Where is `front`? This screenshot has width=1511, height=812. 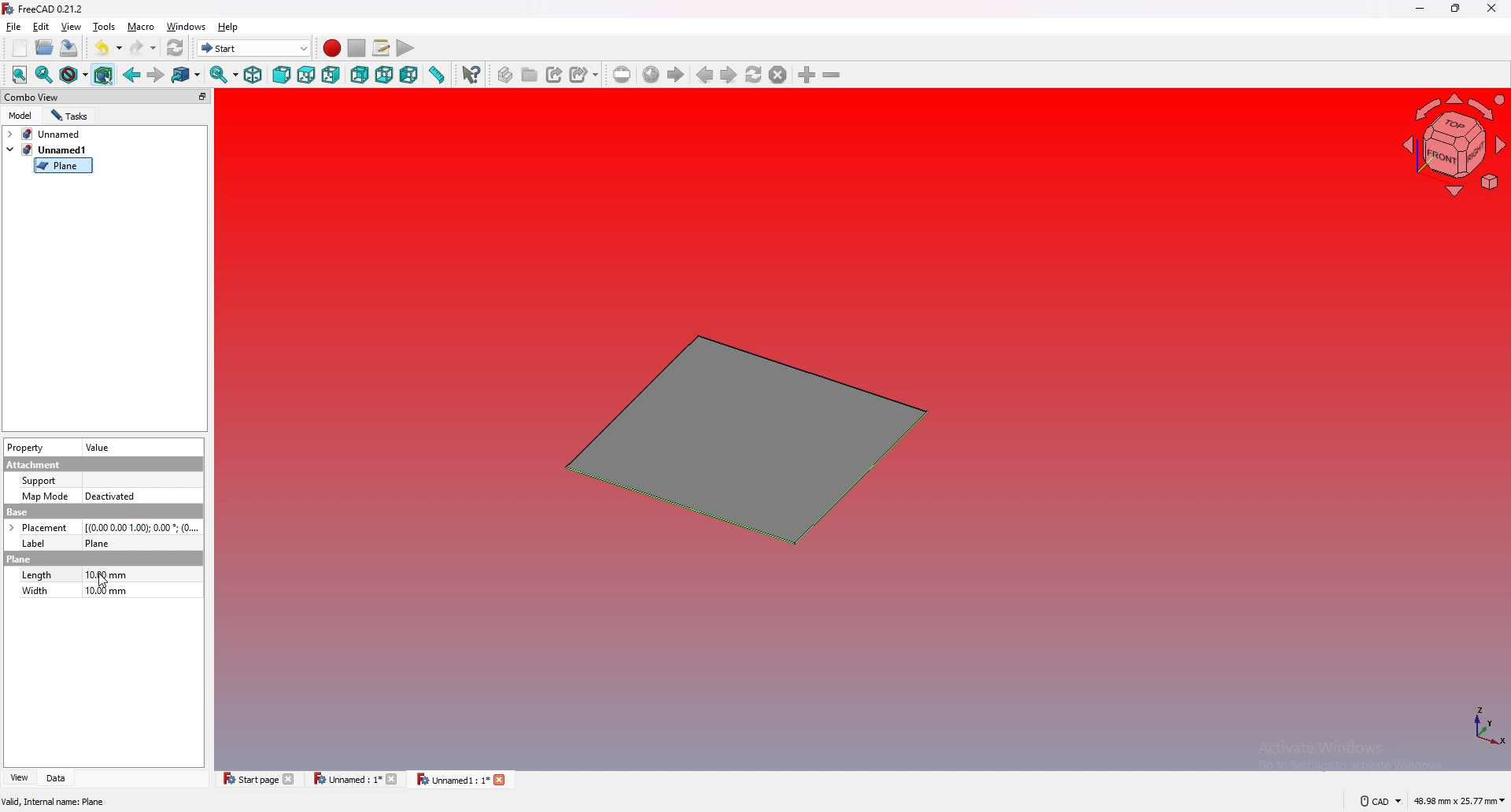 front is located at coordinates (282, 75).